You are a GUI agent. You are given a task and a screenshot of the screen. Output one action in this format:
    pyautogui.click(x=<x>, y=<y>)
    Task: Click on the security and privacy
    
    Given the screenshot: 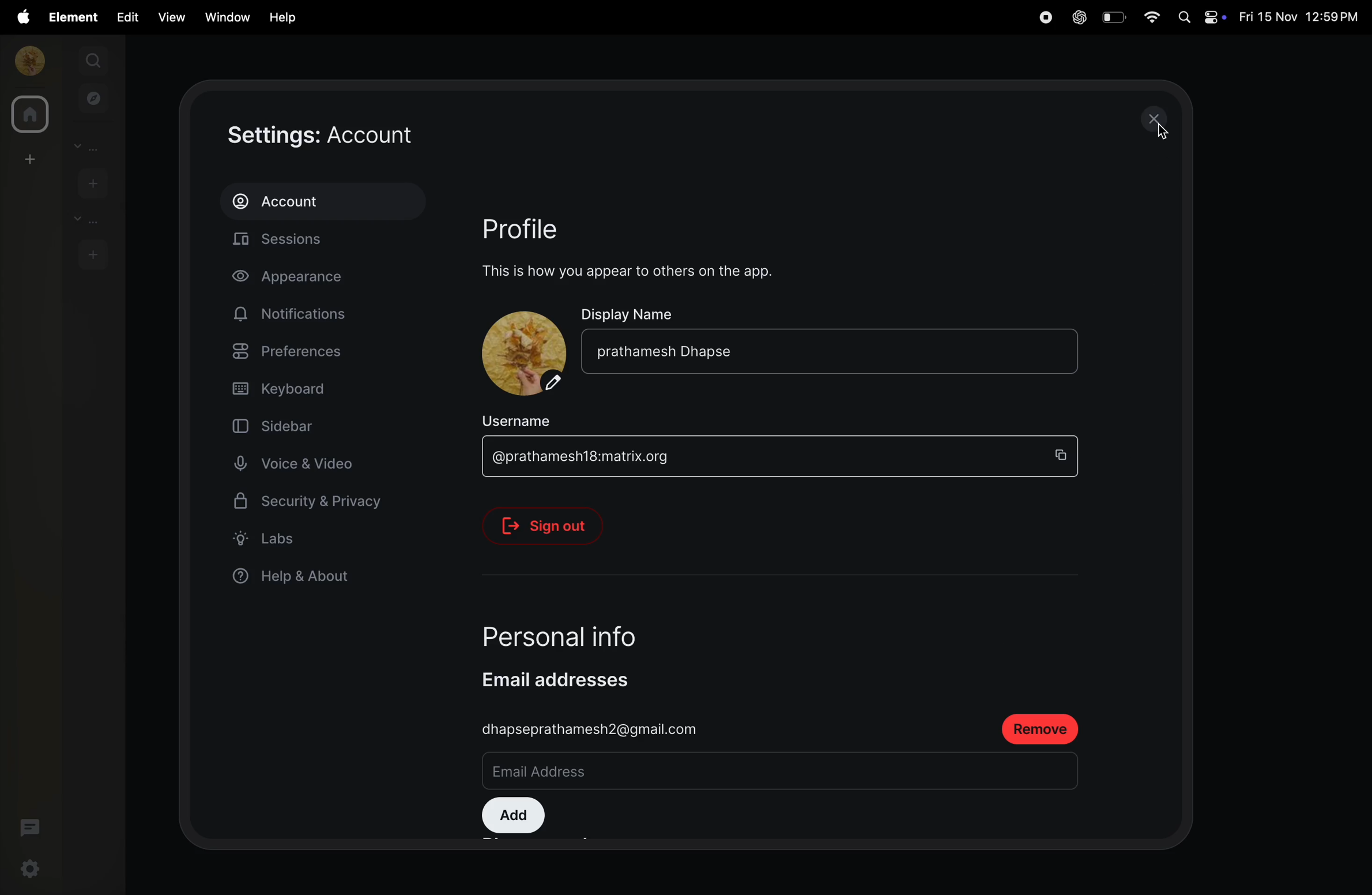 What is the action you would take?
    pyautogui.click(x=309, y=505)
    